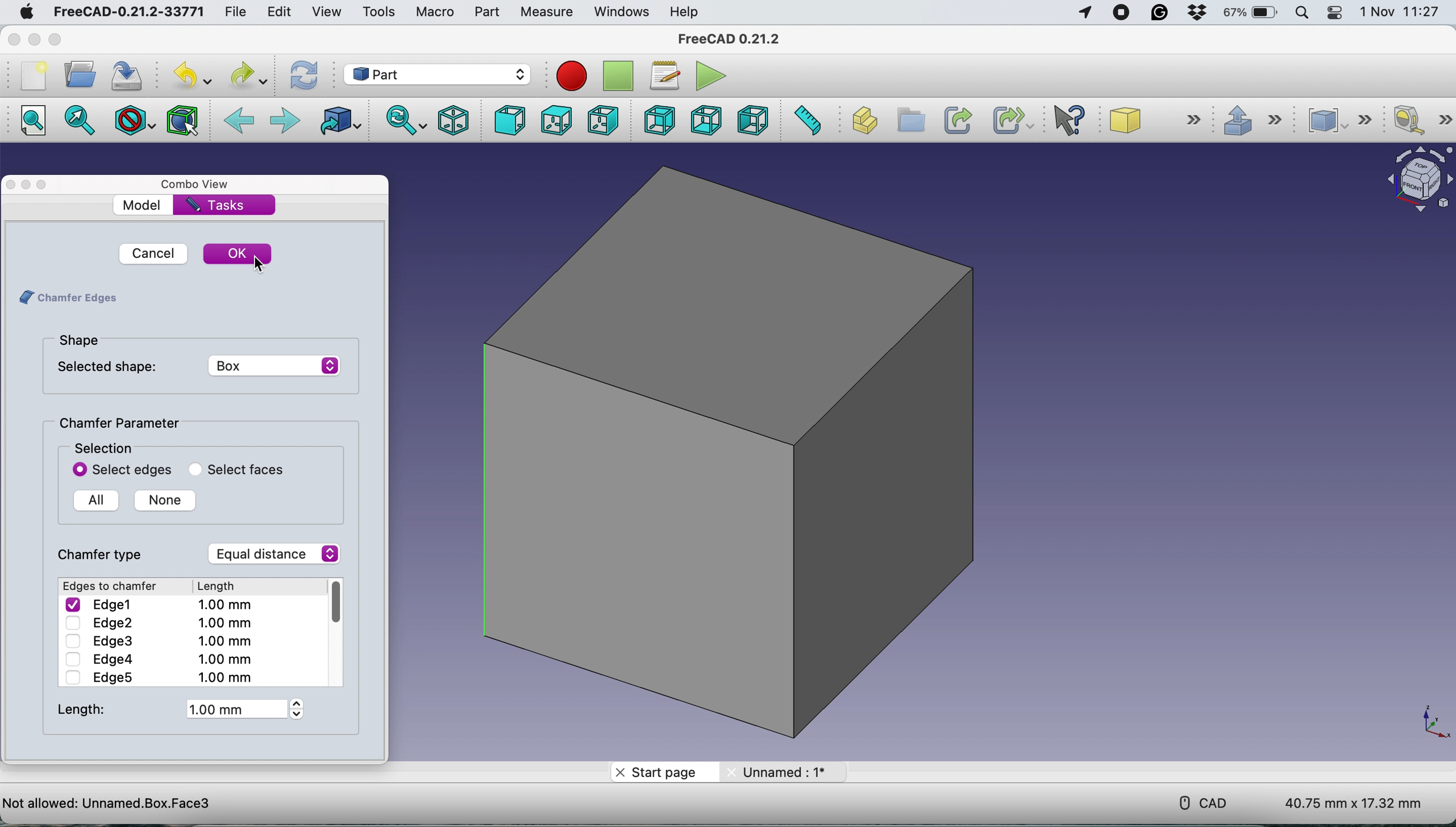  What do you see at coordinates (1305, 15) in the screenshot?
I see `spotlight searc` at bounding box center [1305, 15].